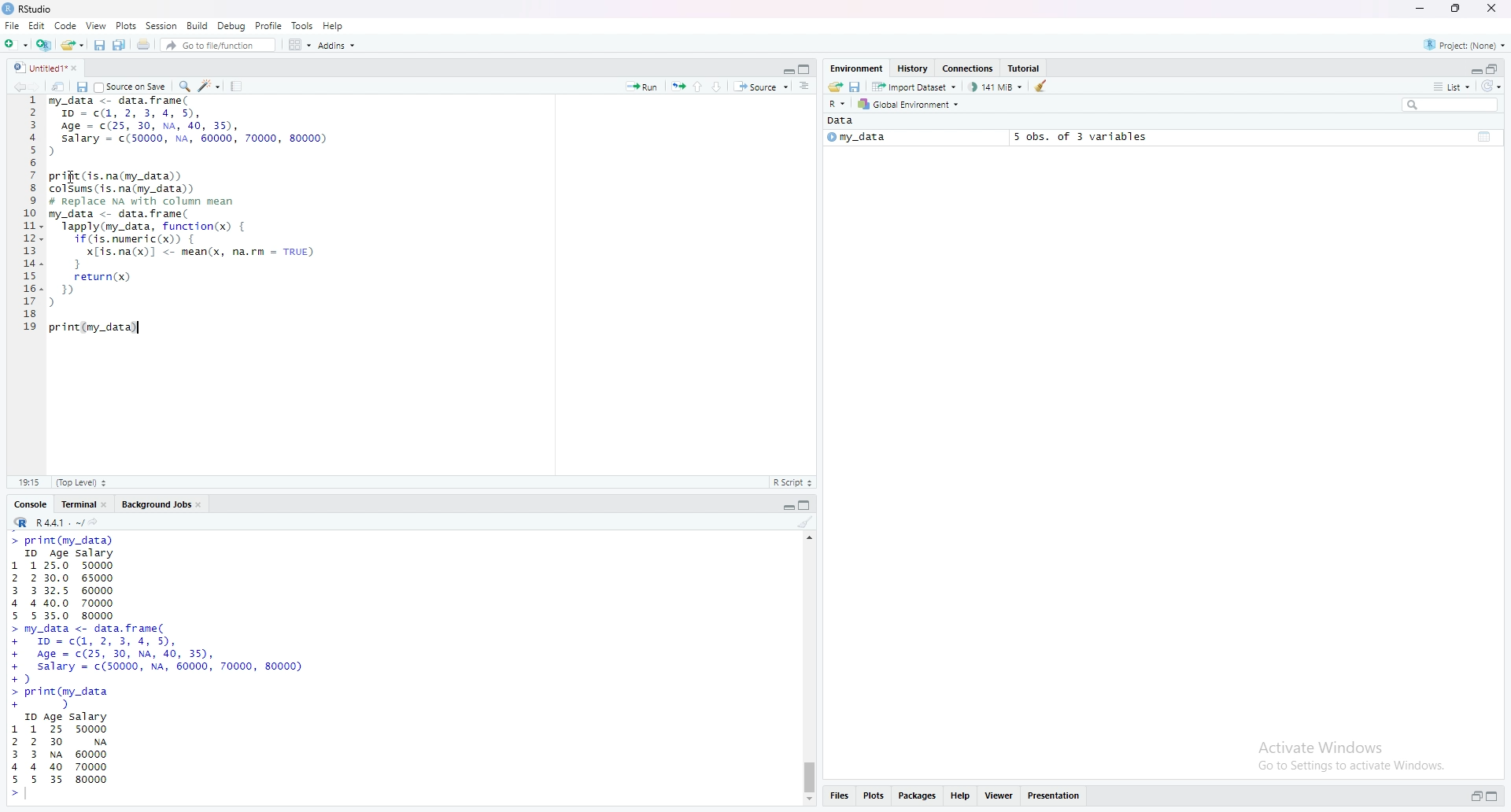 The height and width of the screenshot is (812, 1511). I want to click on create a project, so click(45, 46).